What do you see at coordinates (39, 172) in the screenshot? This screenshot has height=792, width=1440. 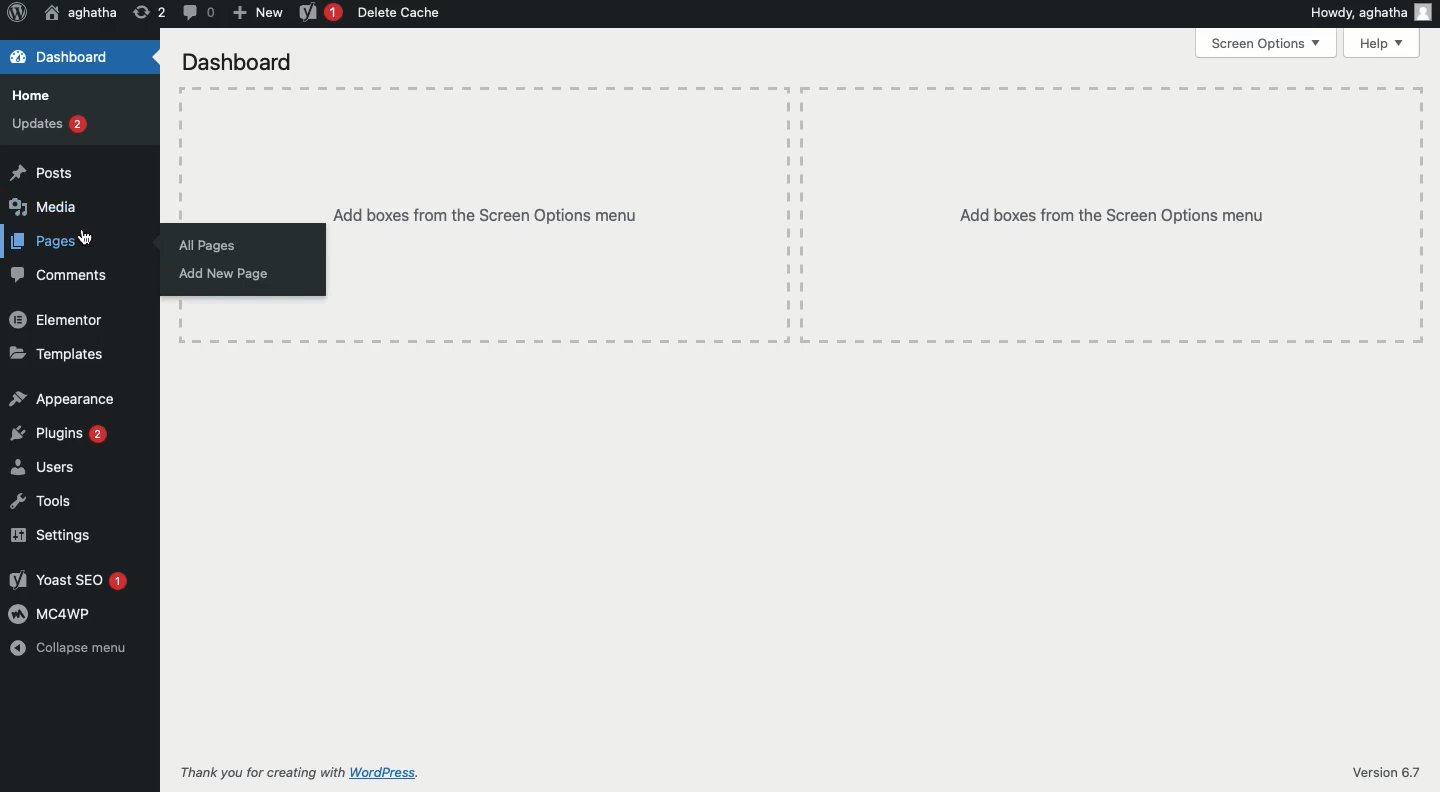 I see `Posts` at bounding box center [39, 172].